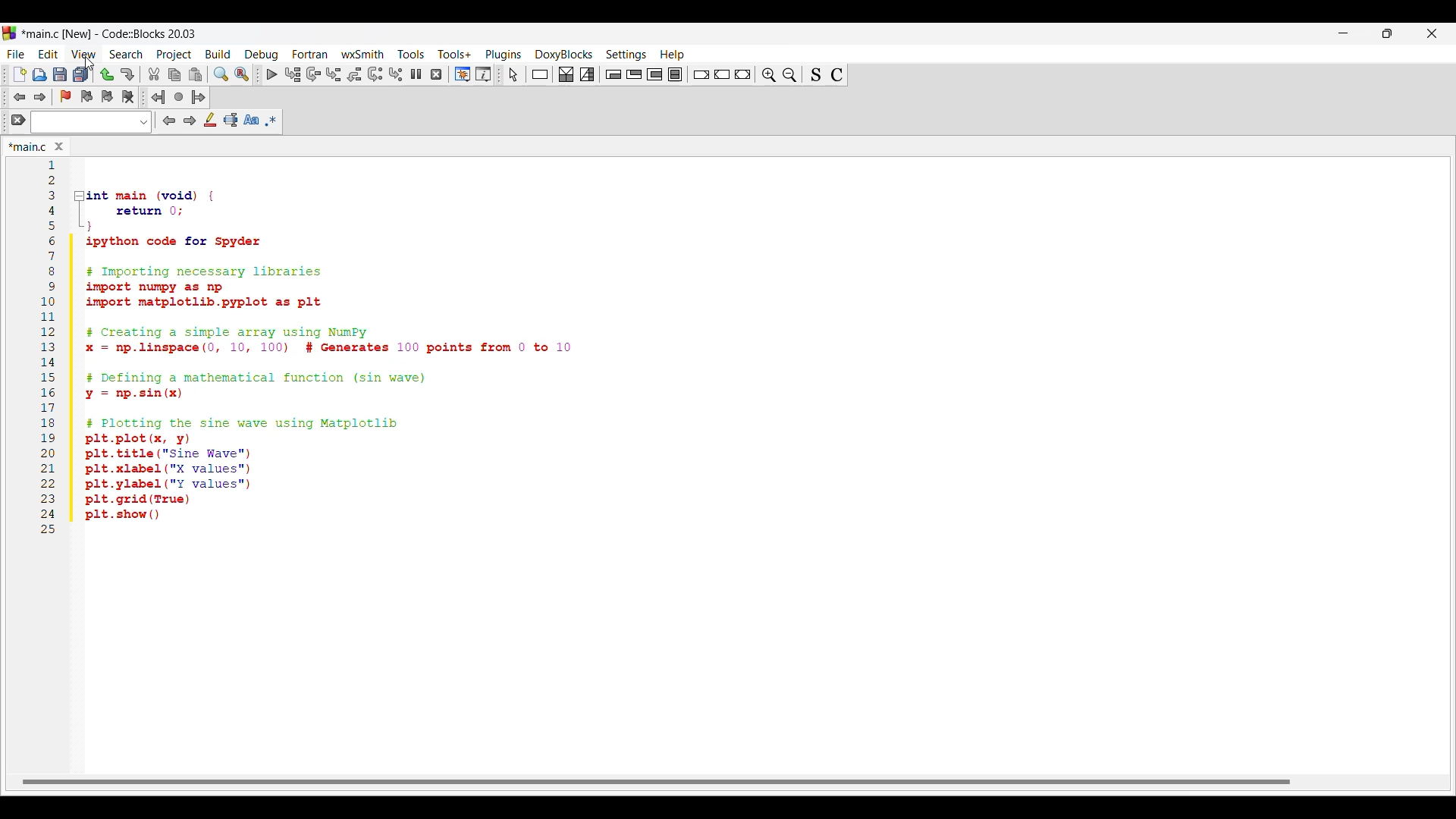 Image resolution: width=1456 pixels, height=819 pixels. I want to click on Debug/Continue, so click(272, 74).